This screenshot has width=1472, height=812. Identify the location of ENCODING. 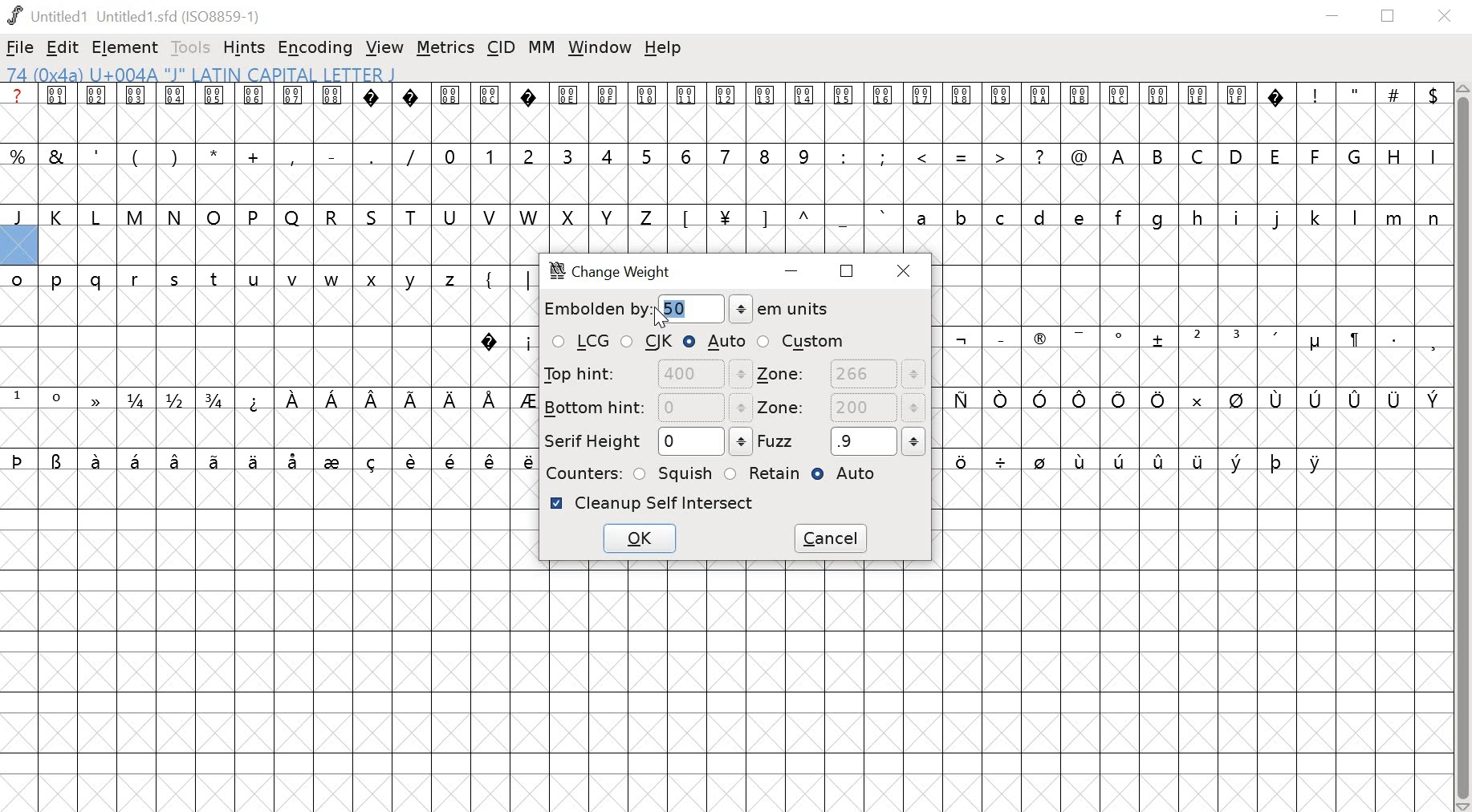
(315, 48).